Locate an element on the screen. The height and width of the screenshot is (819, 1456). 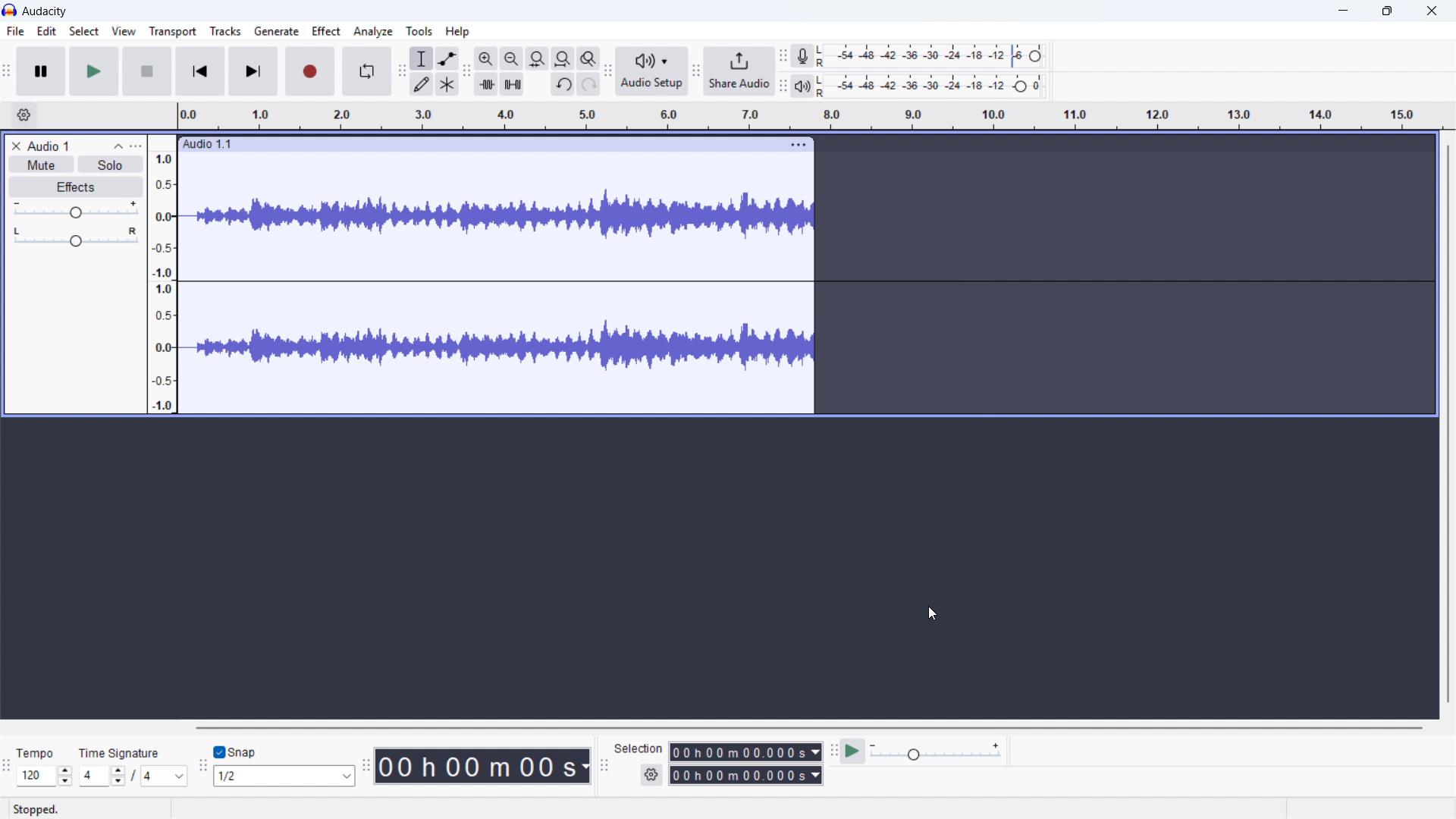
Fit project to width is located at coordinates (563, 58).